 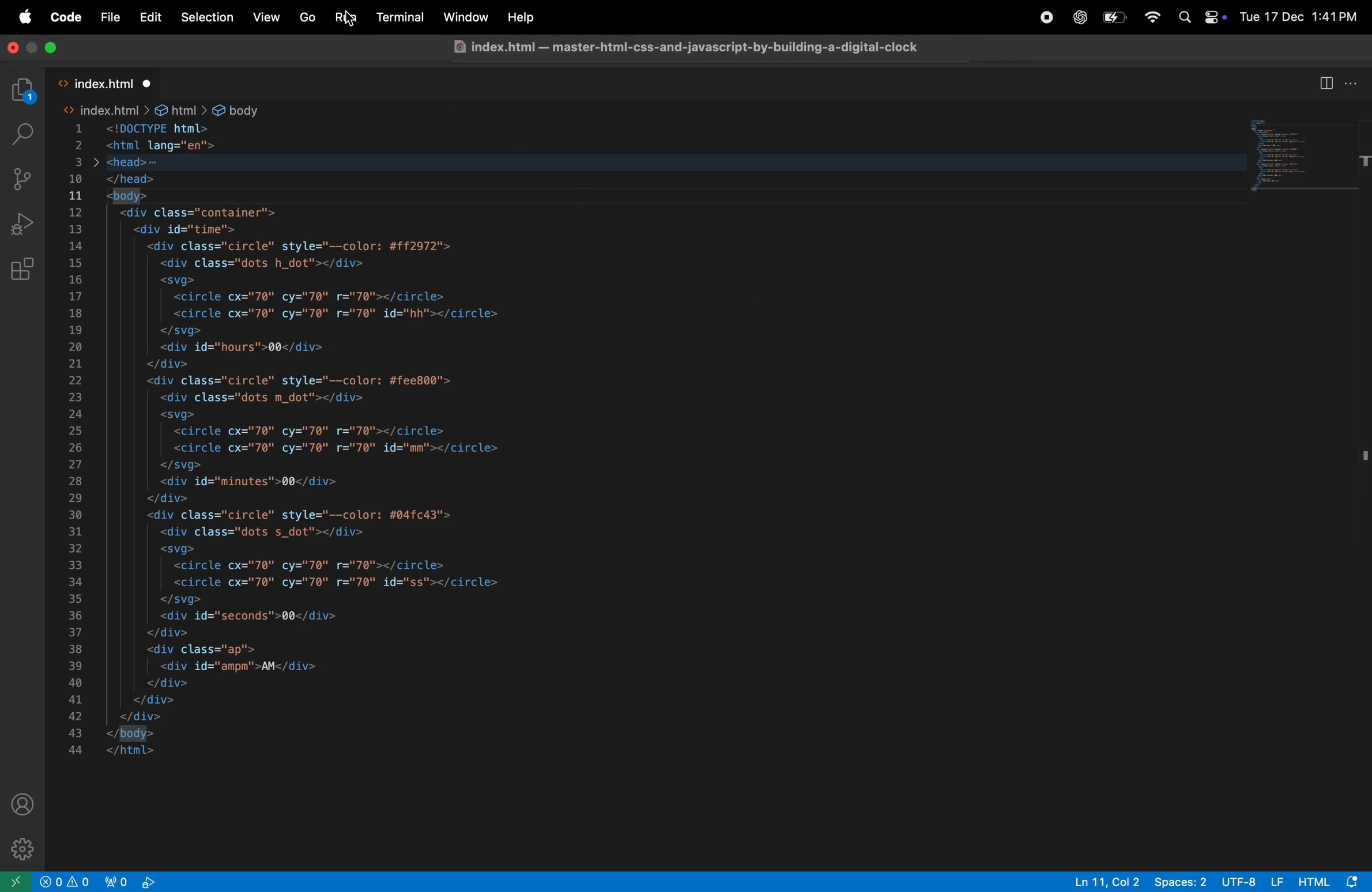 What do you see at coordinates (67, 882) in the screenshot?
I see `no problems` at bounding box center [67, 882].